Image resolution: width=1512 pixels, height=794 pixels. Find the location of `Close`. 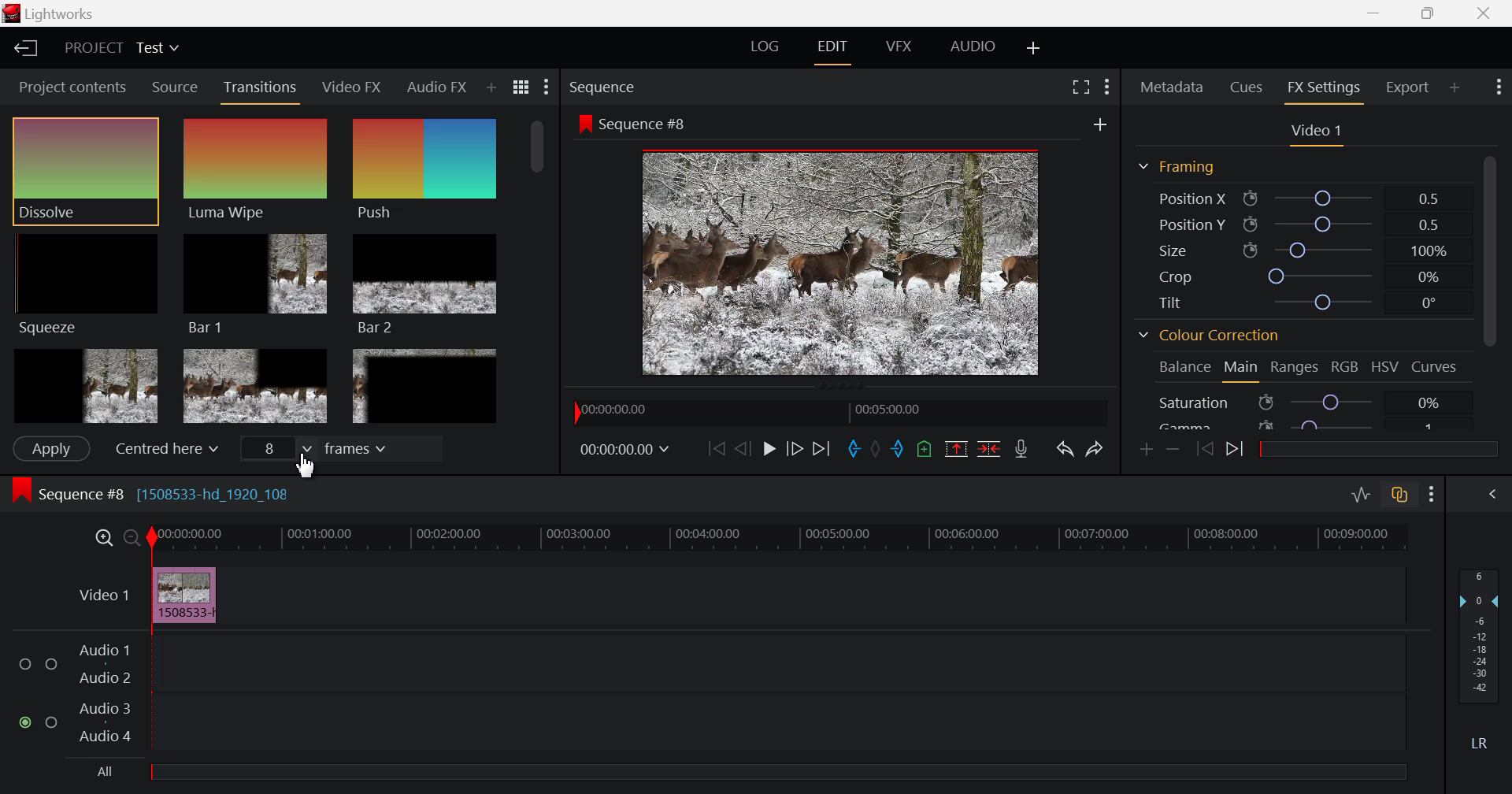

Close is located at coordinates (1484, 13).